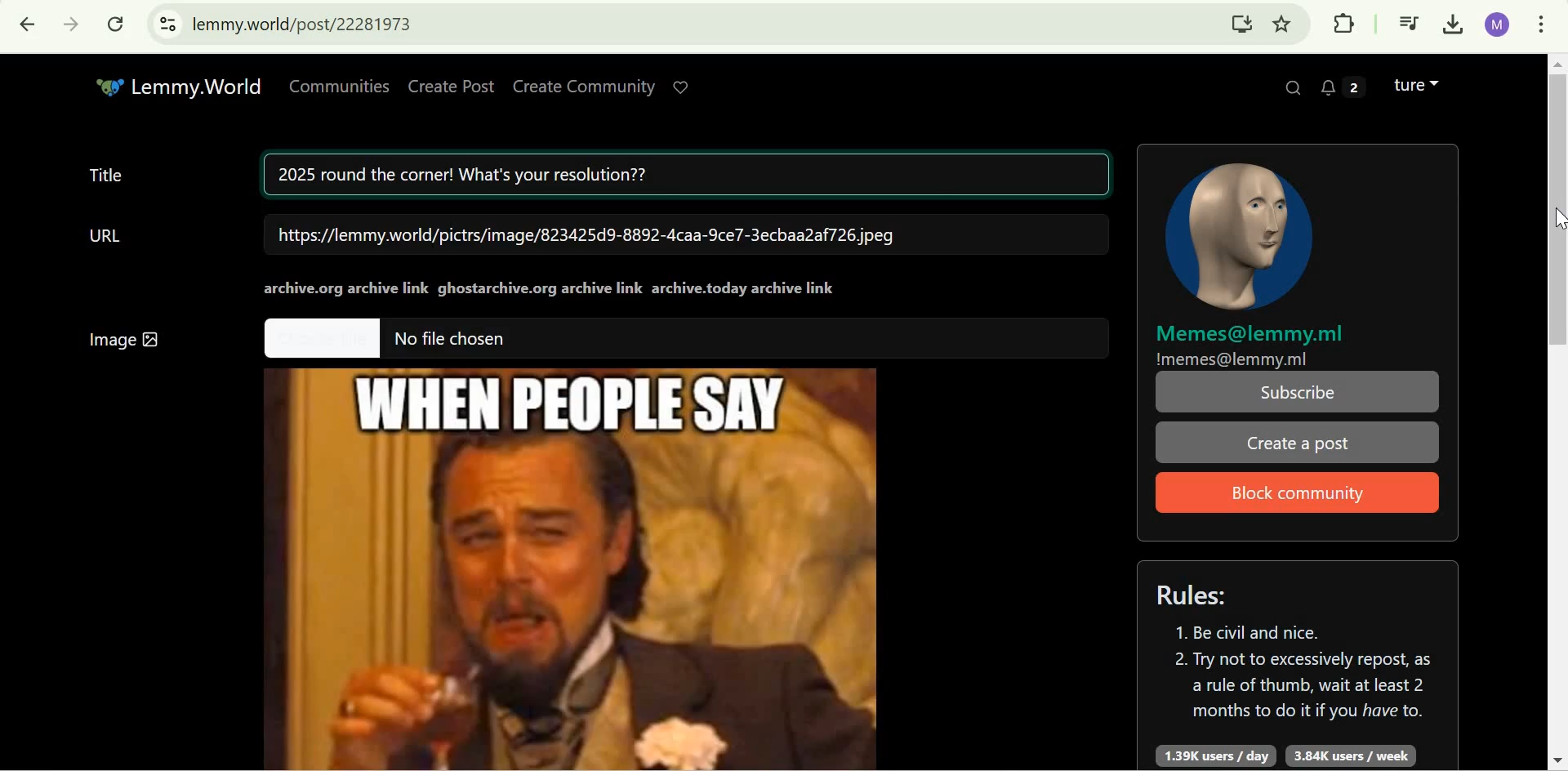 The image size is (1568, 771). I want to click on Communities, so click(339, 87).